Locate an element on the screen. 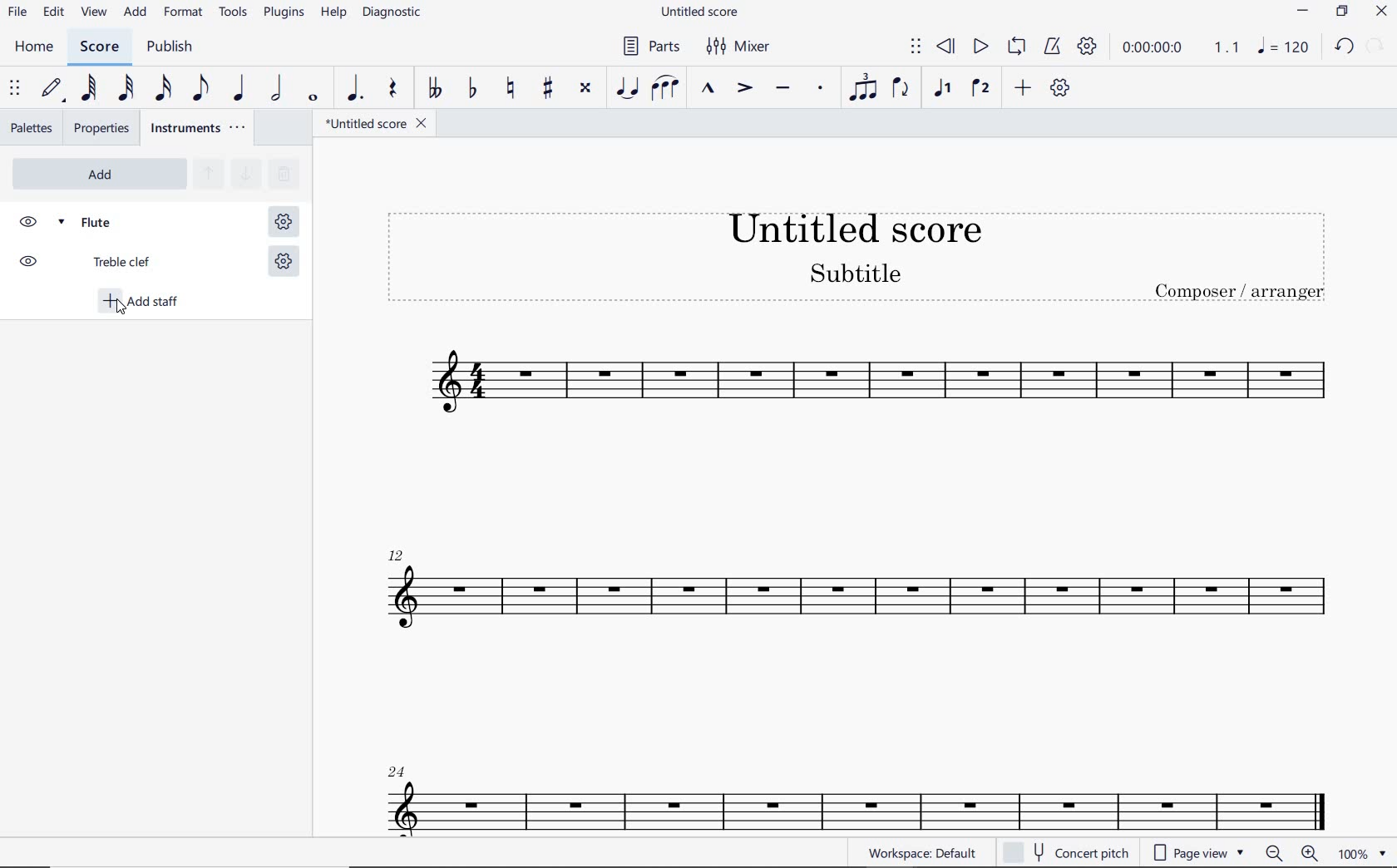 This screenshot has height=868, width=1397. note is located at coordinates (1287, 46).